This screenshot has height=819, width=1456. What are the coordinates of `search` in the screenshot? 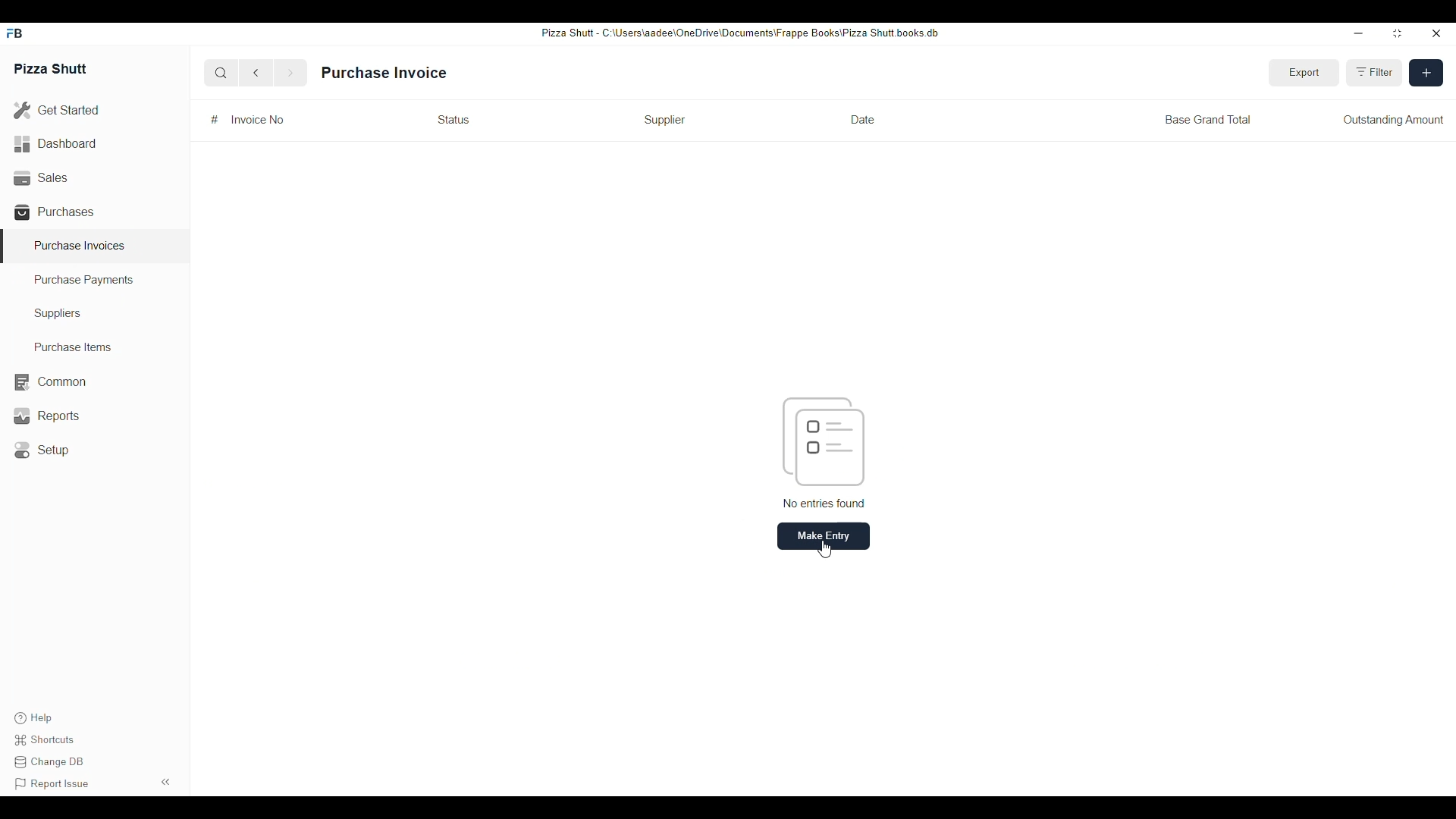 It's located at (221, 73).